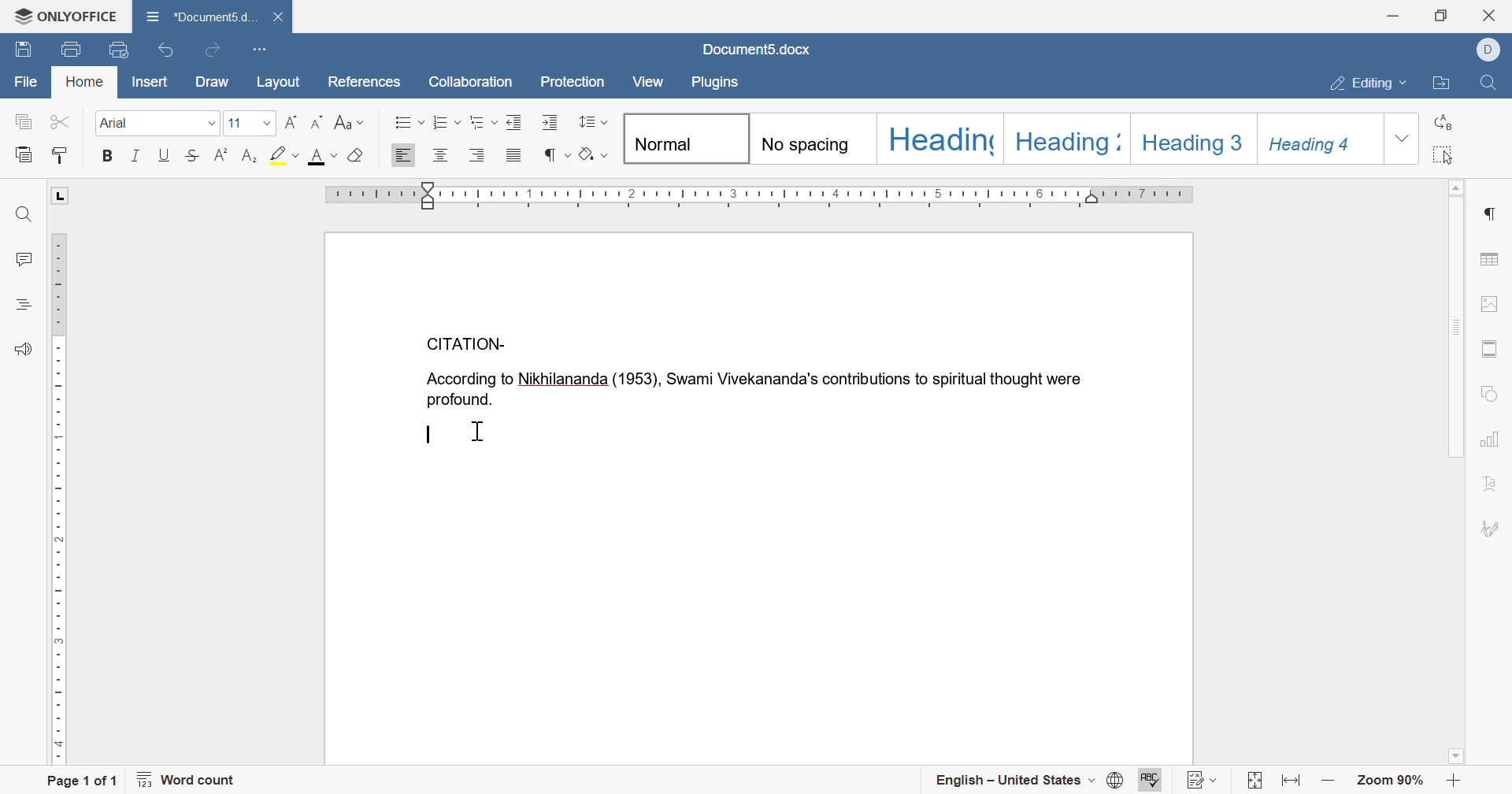  I want to click on headings, so click(24, 305).